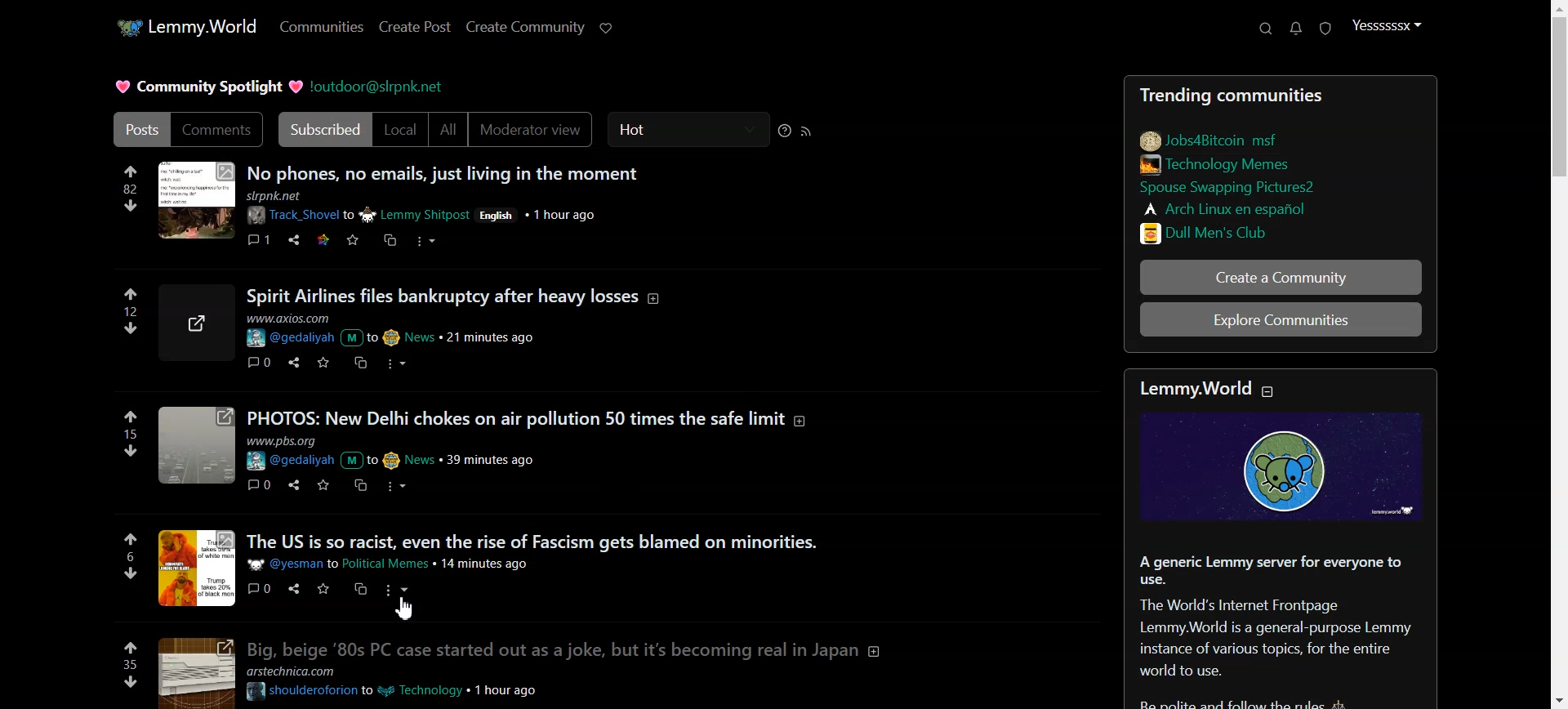  What do you see at coordinates (132, 310) in the screenshot?
I see `numbers` at bounding box center [132, 310].